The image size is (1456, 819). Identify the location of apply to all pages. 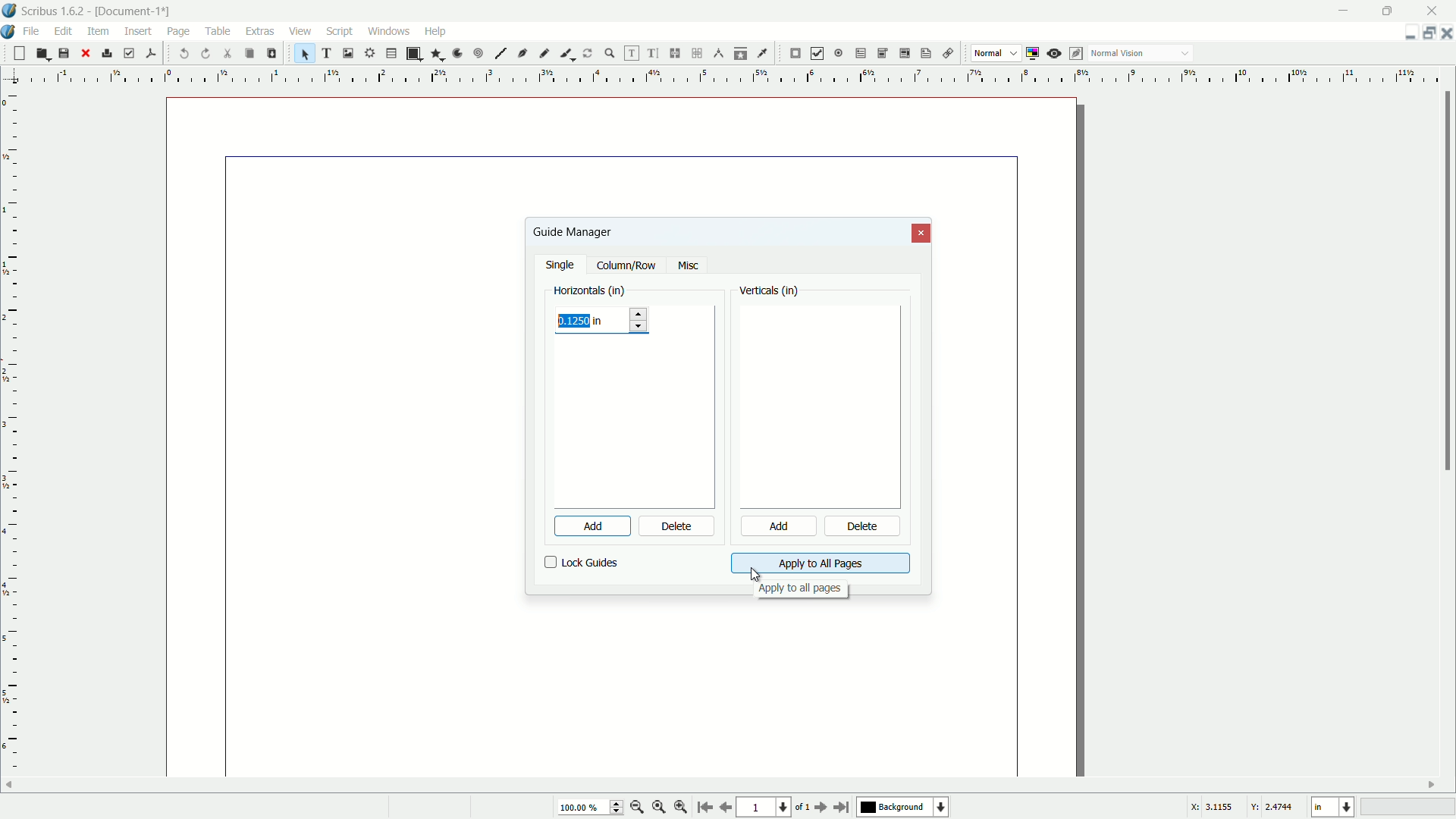
(799, 591).